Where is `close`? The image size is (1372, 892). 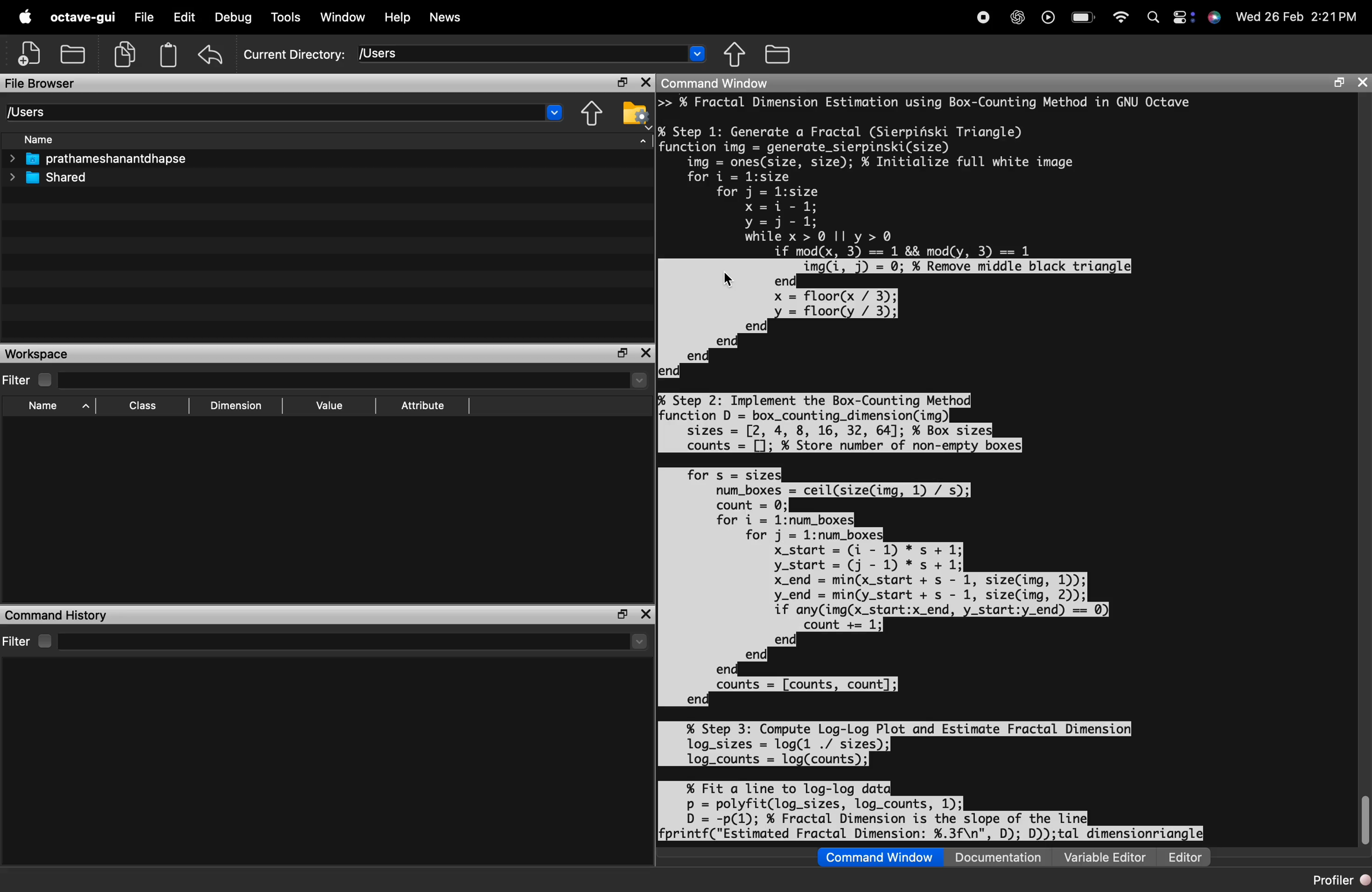
close is located at coordinates (646, 354).